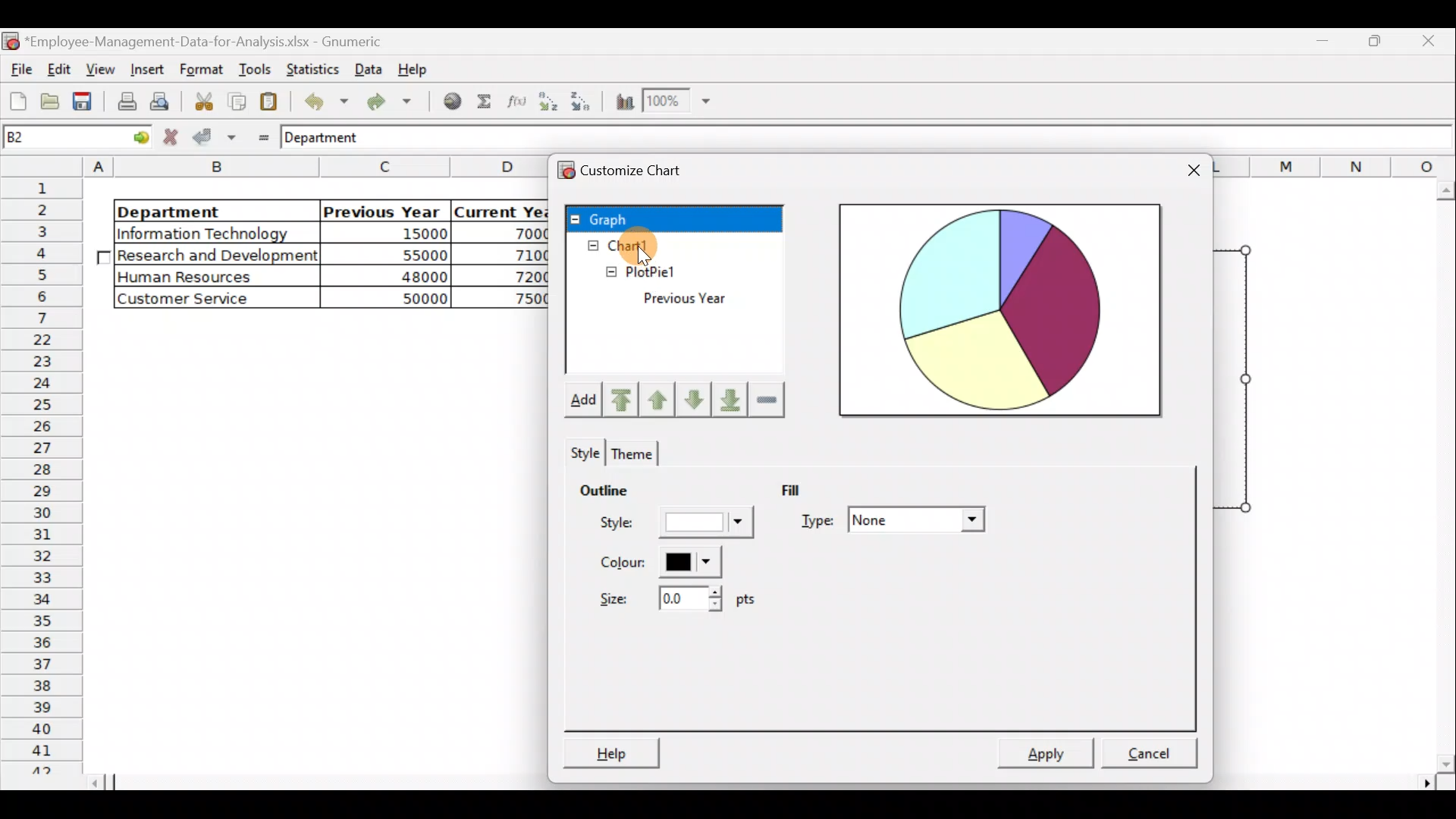  What do you see at coordinates (272, 102) in the screenshot?
I see `Paste the clipboard` at bounding box center [272, 102].